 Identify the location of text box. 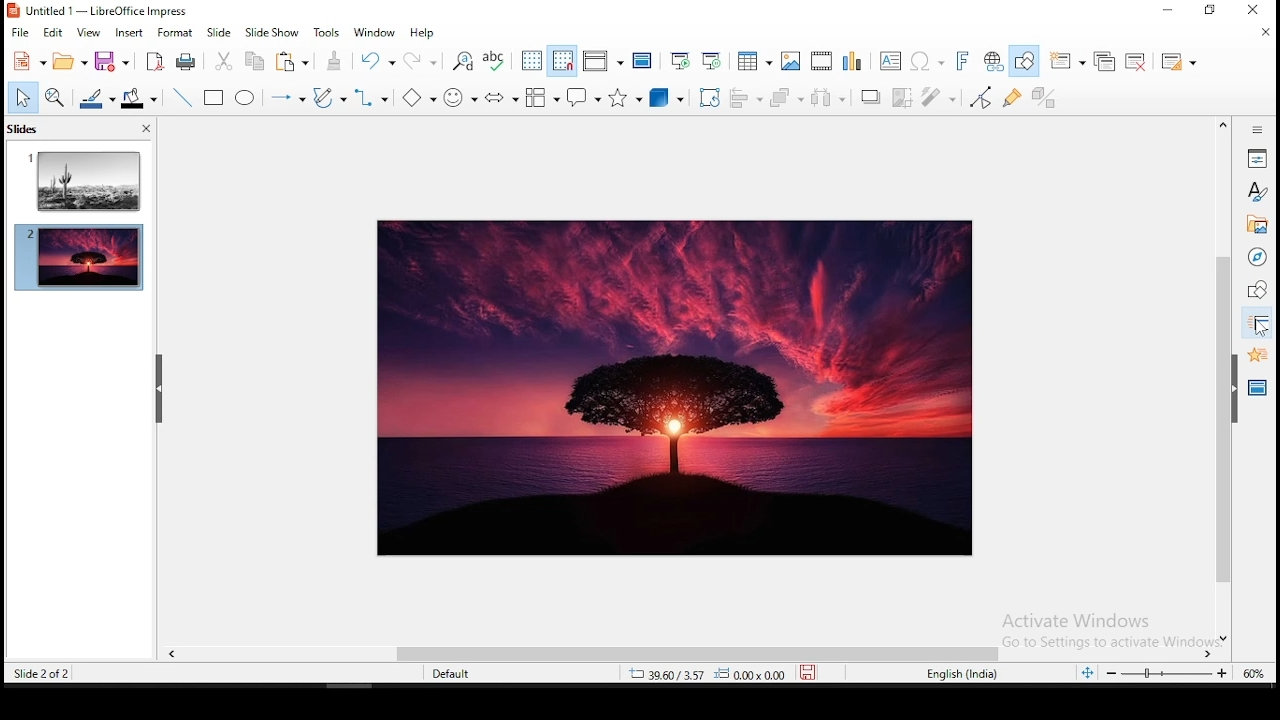
(891, 60).